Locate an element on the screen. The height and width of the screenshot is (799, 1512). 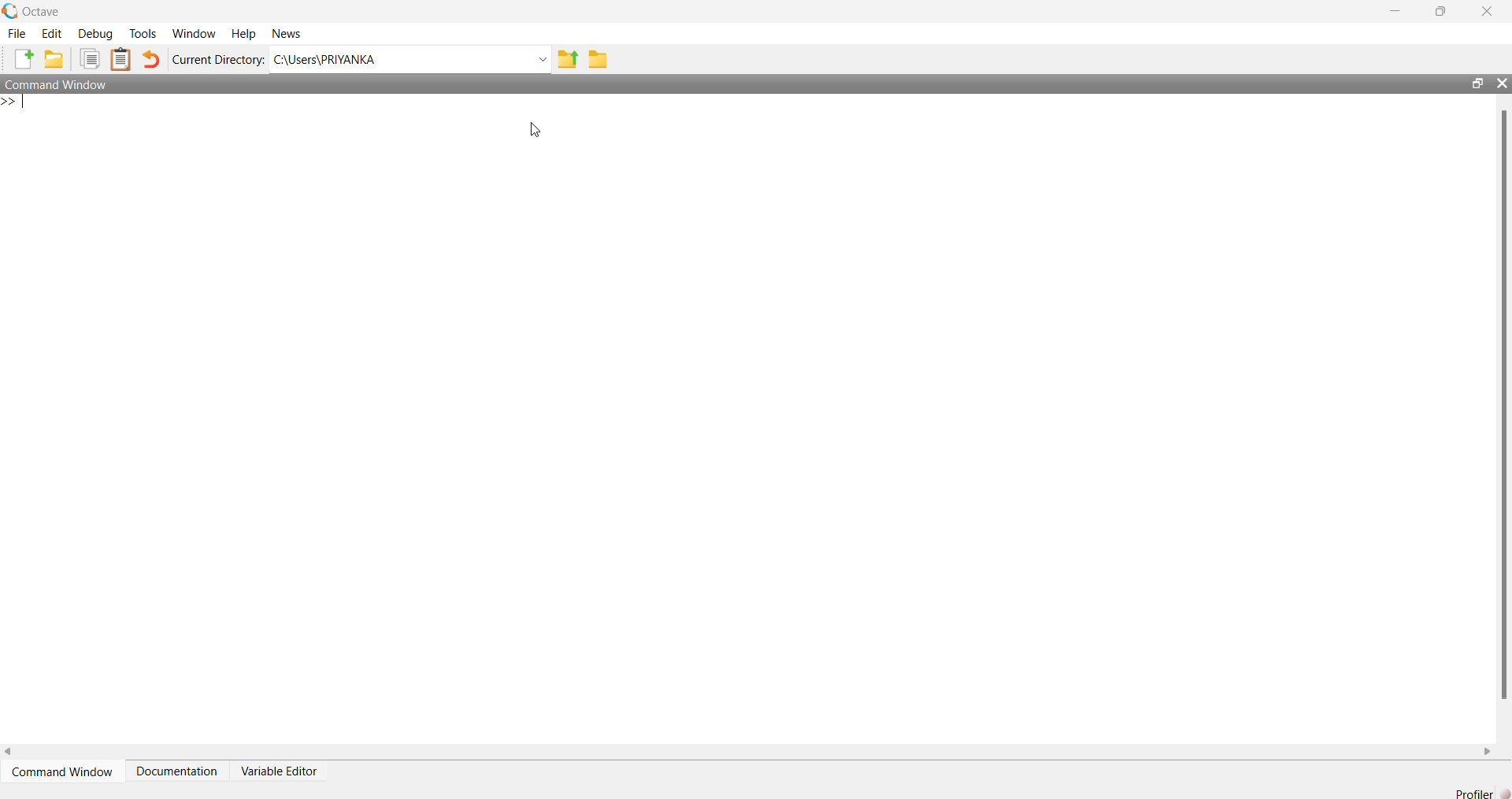
Current Directory: is located at coordinates (220, 59).